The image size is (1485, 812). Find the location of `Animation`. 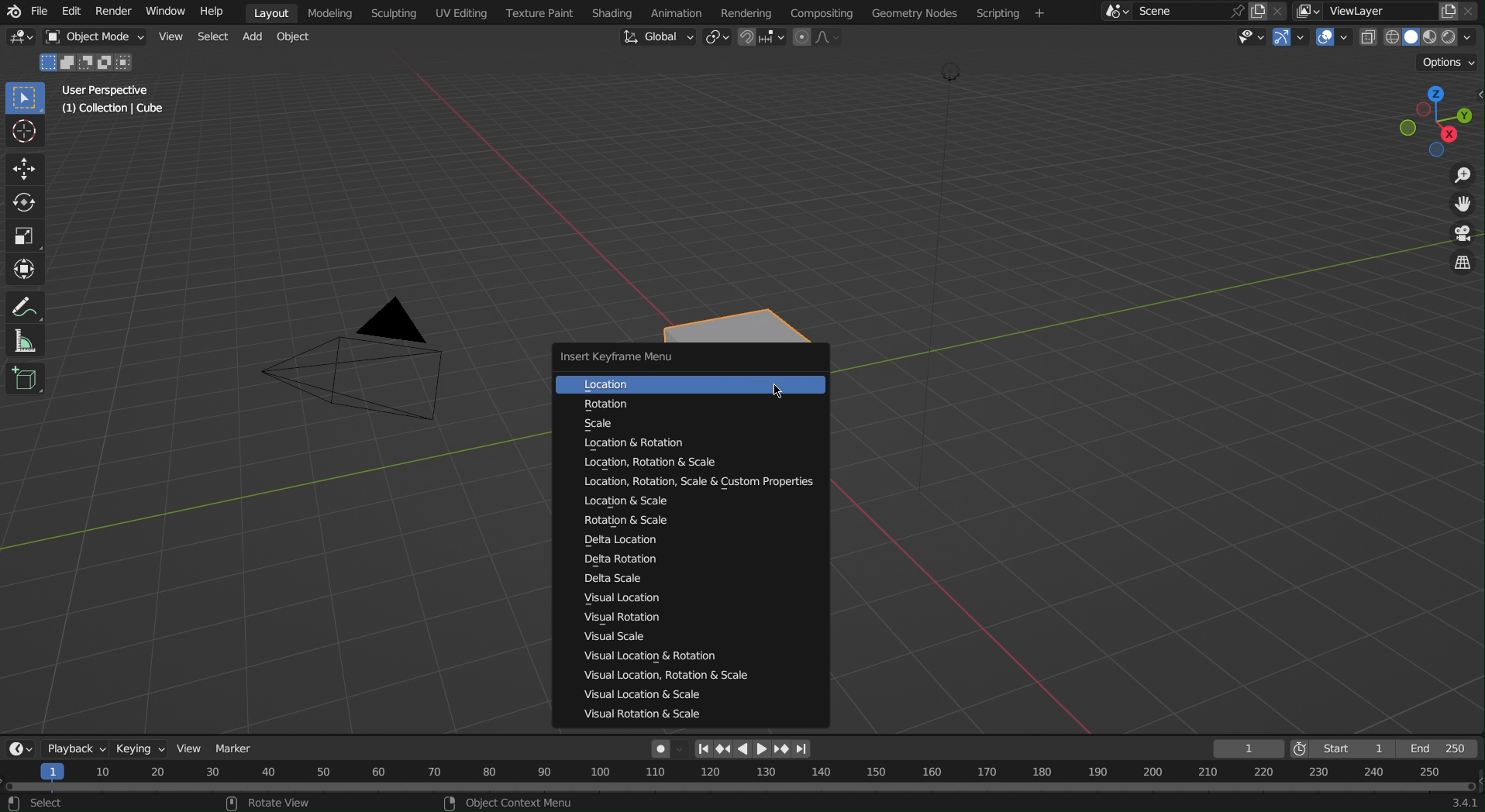

Animation is located at coordinates (678, 13).